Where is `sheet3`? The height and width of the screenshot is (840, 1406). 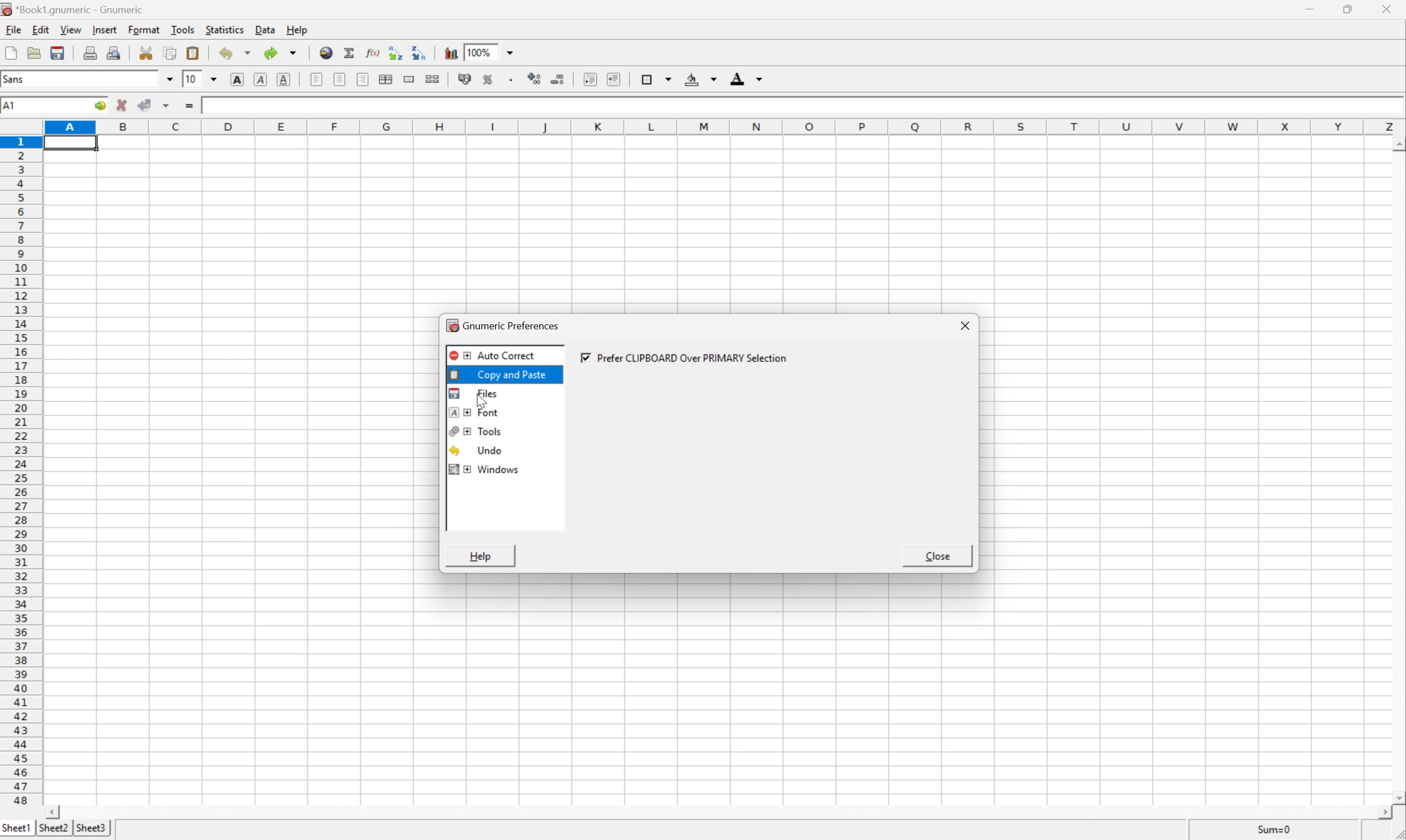 sheet3 is located at coordinates (91, 831).